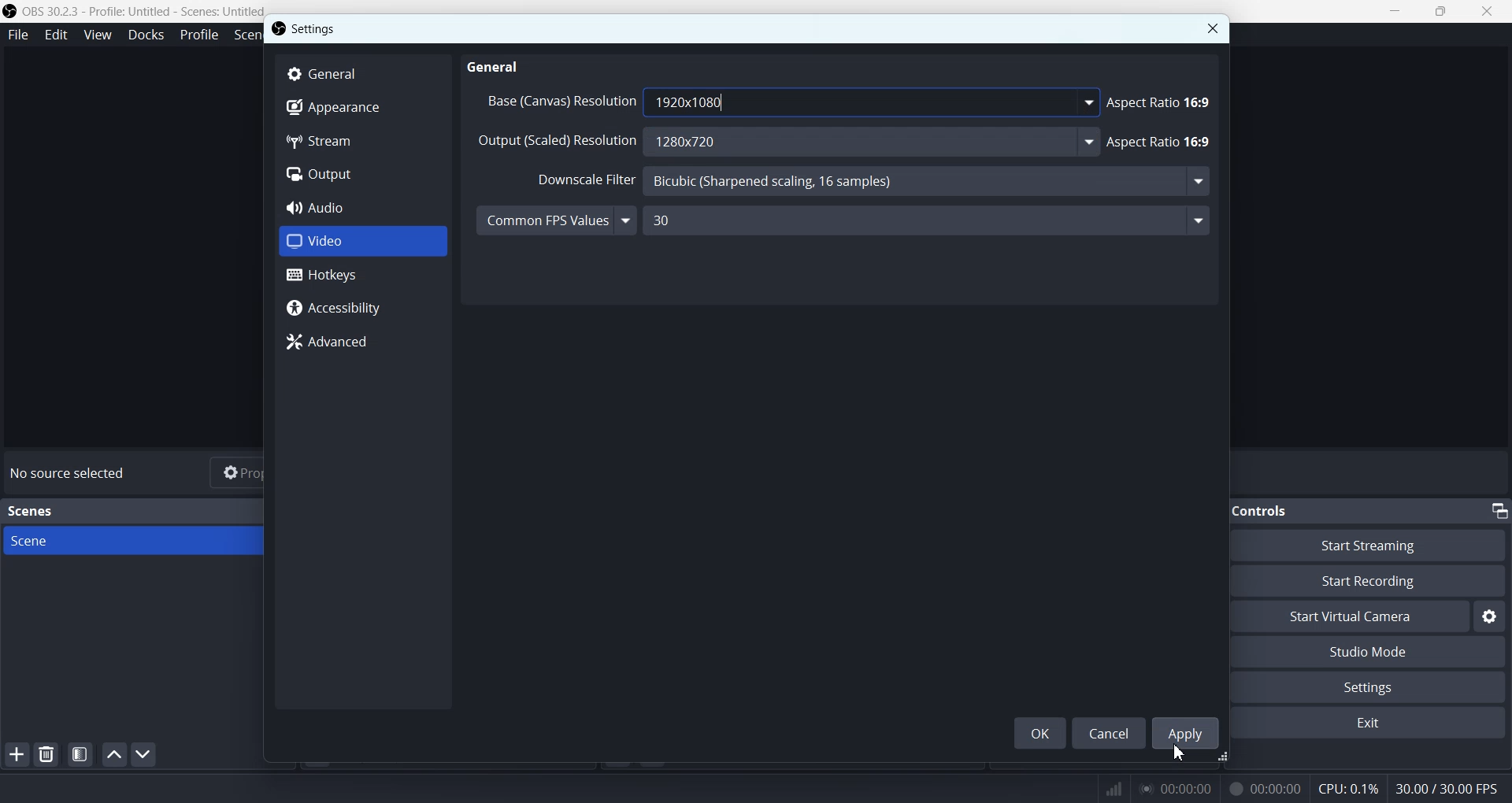 The width and height of the screenshot is (1512, 803). I want to click on Maximize, so click(1441, 10).